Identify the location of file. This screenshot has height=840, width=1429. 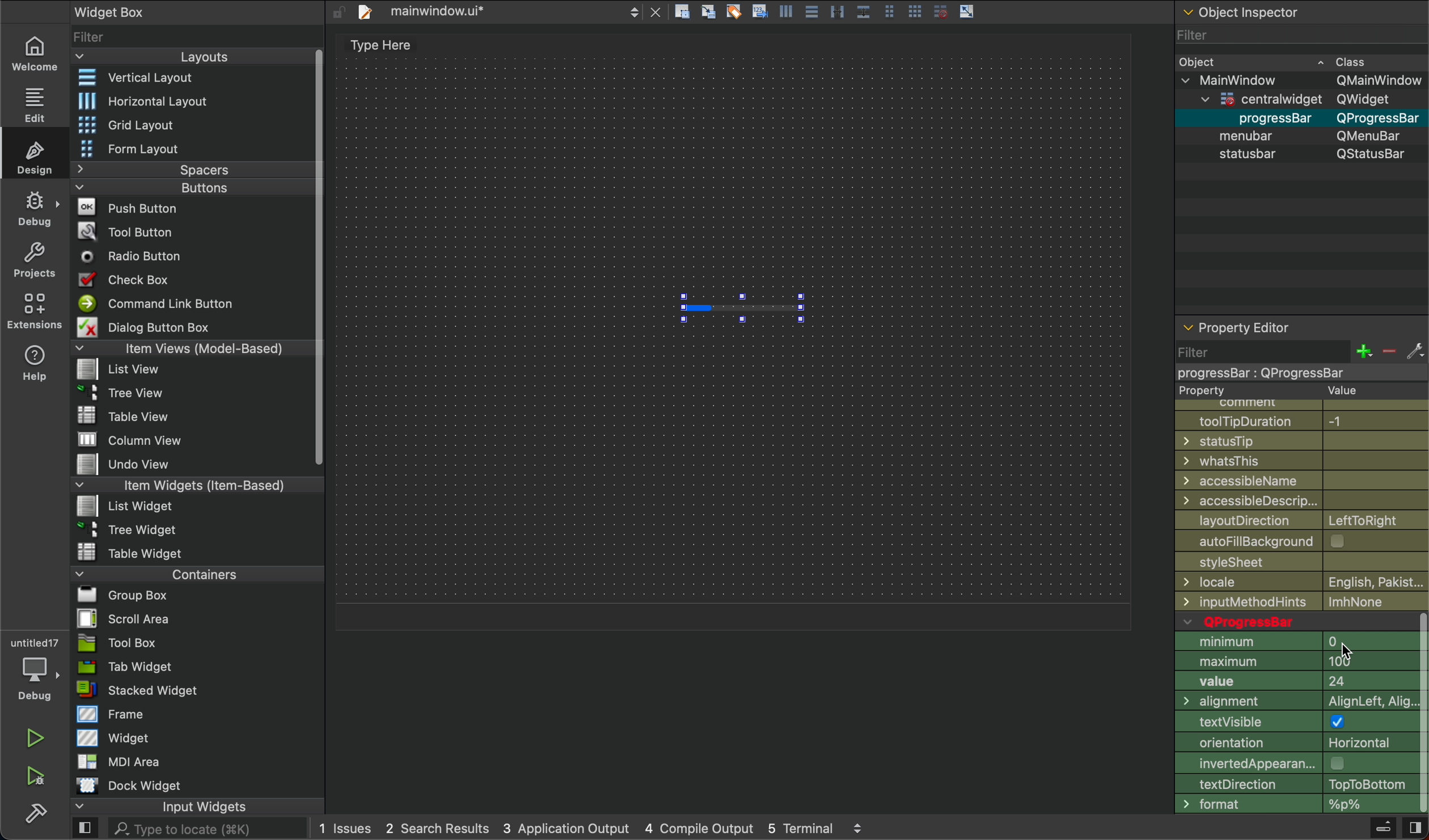
(1300, 564).